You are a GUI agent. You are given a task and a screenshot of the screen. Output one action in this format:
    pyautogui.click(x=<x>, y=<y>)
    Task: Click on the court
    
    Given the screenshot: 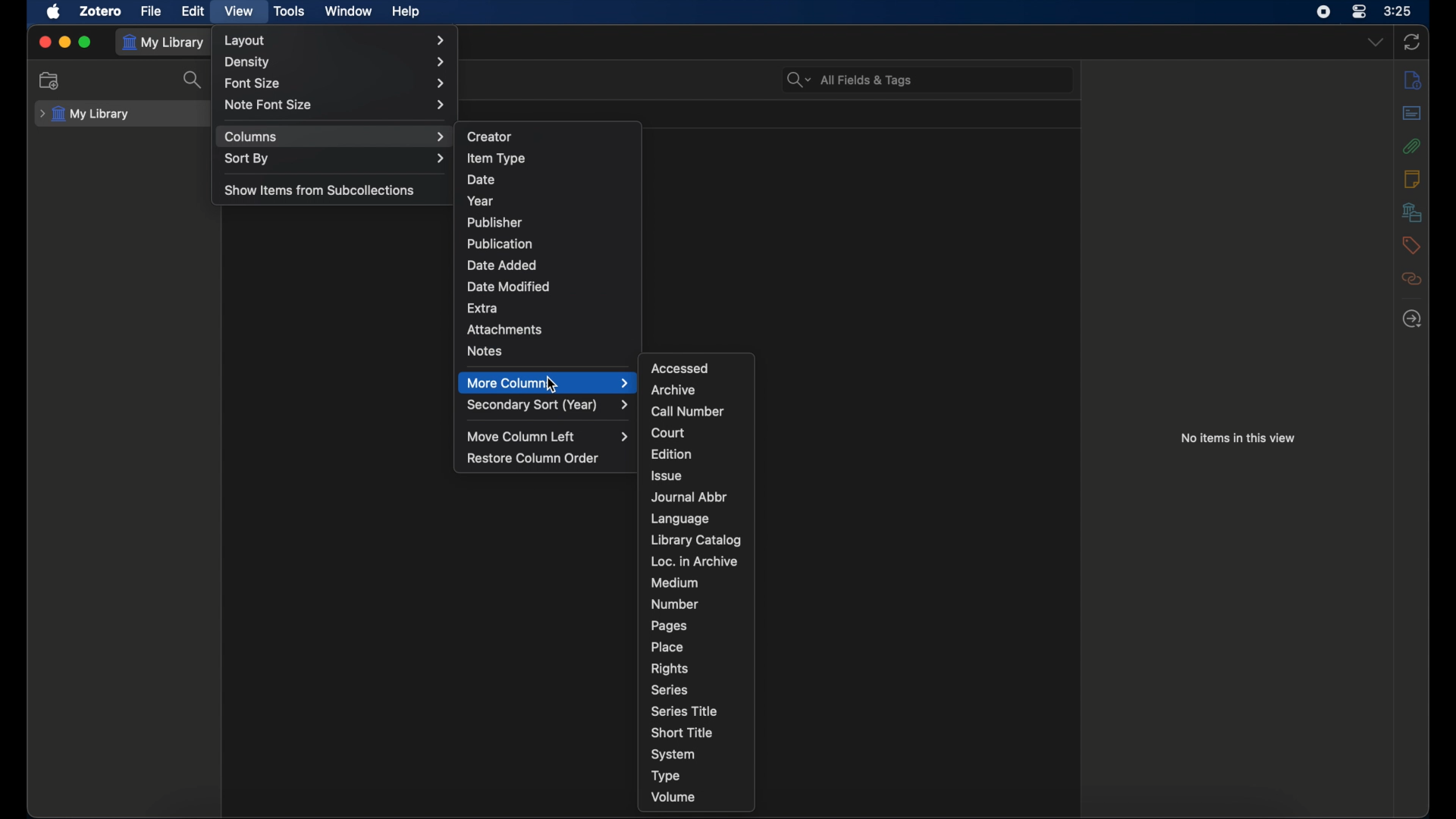 What is the action you would take?
    pyautogui.click(x=667, y=432)
    